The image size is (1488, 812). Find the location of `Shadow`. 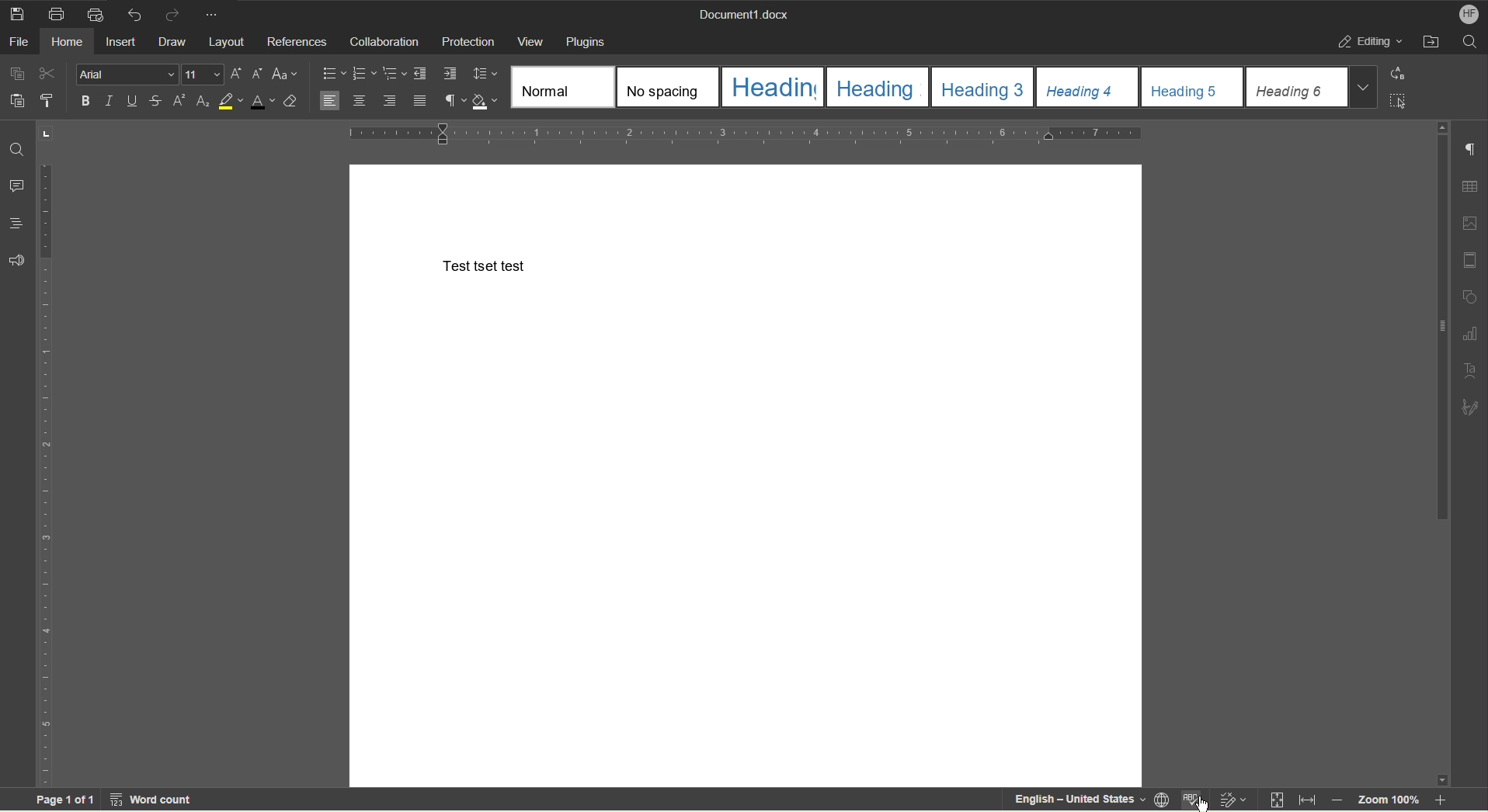

Shadow is located at coordinates (488, 102).